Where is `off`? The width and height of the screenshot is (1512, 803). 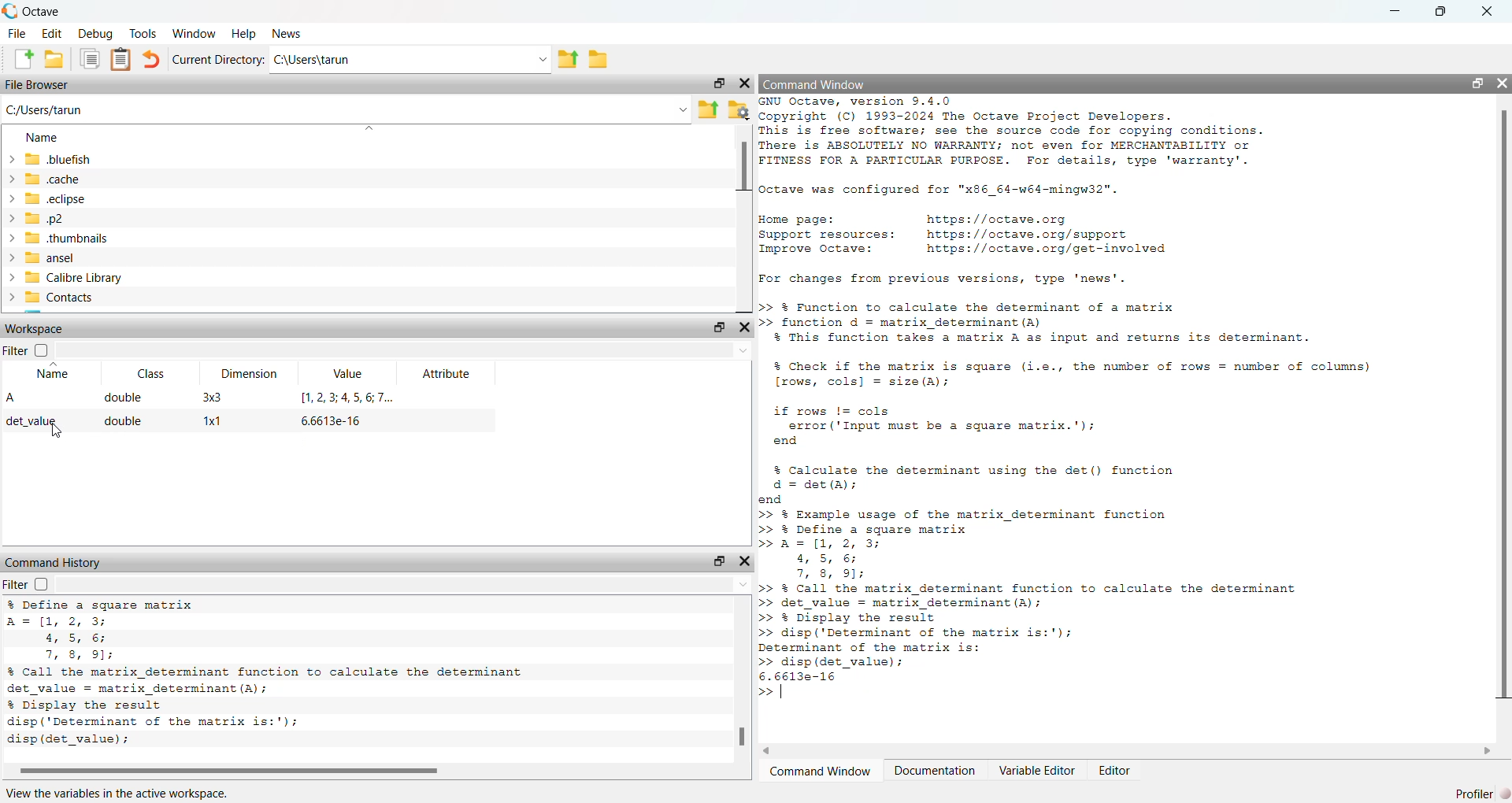
off is located at coordinates (44, 350).